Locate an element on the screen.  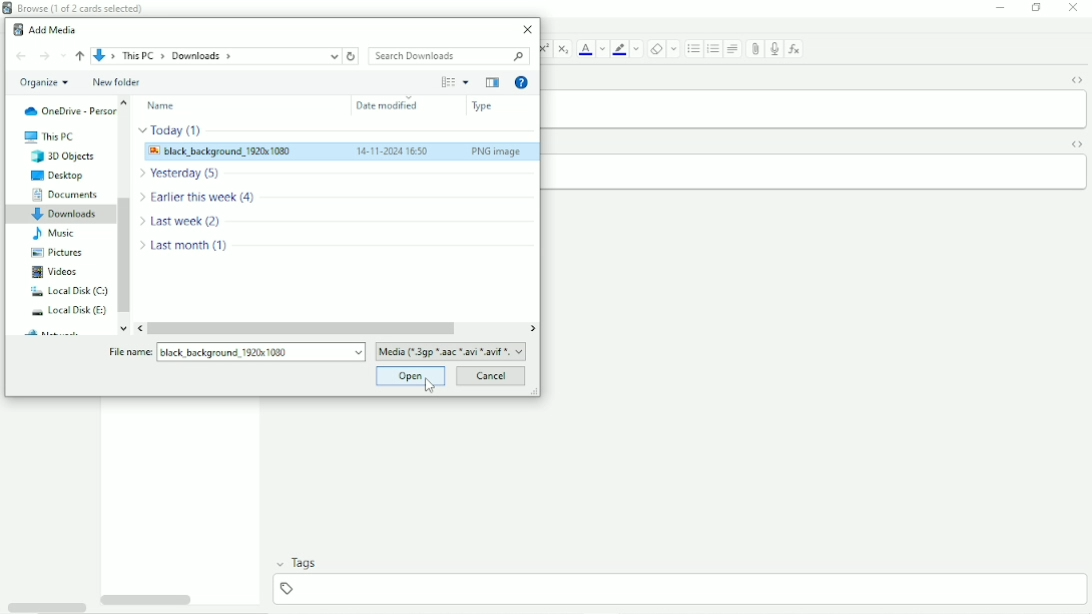
Vertical scrollbar is located at coordinates (124, 257).